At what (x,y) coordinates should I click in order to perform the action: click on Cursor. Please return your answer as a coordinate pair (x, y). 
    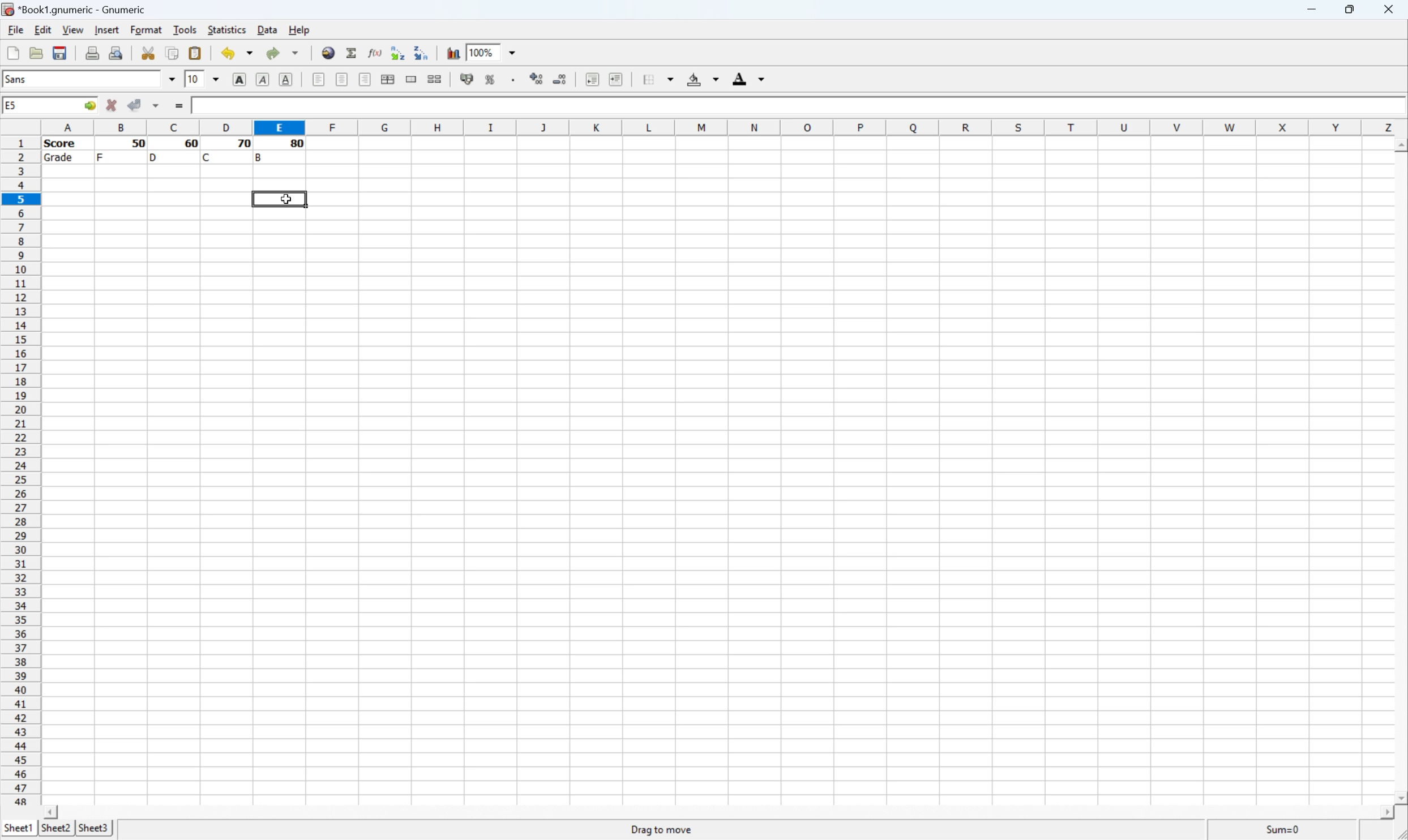
    Looking at the image, I should click on (284, 200).